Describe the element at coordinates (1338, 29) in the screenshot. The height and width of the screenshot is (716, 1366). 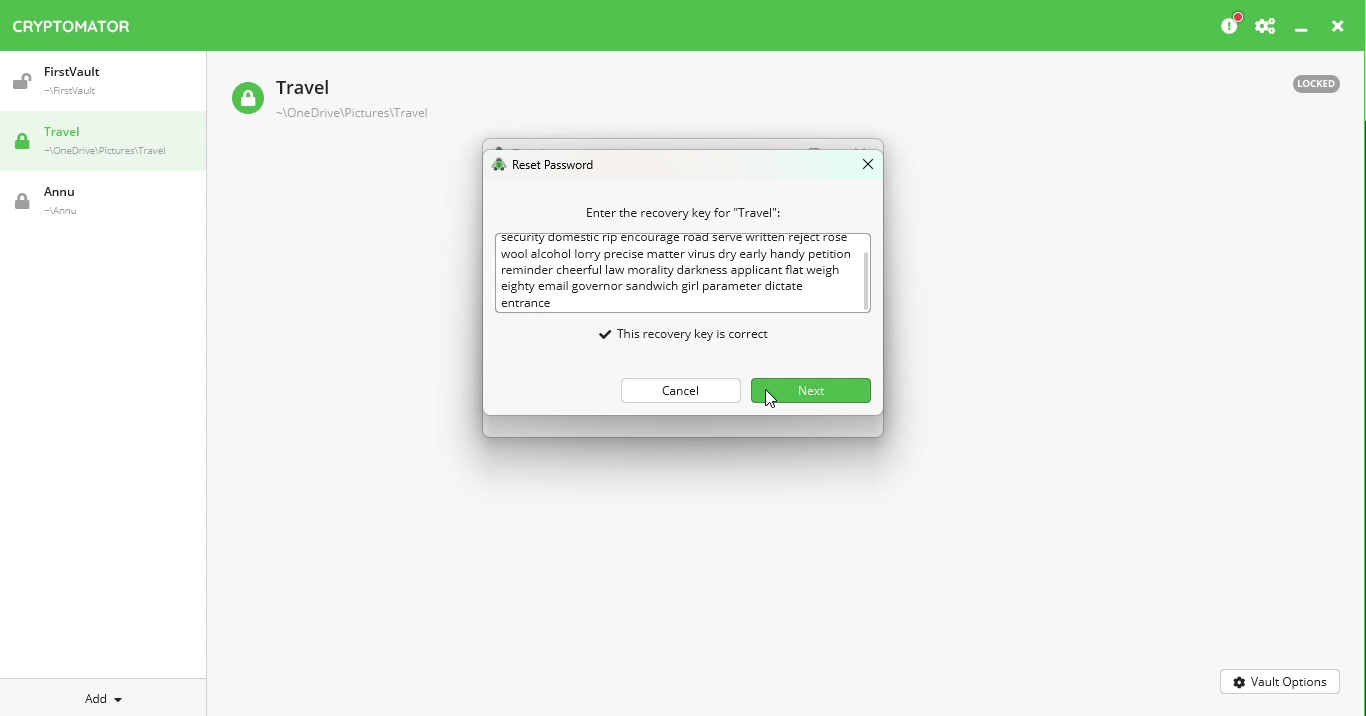
I see `Close` at that location.